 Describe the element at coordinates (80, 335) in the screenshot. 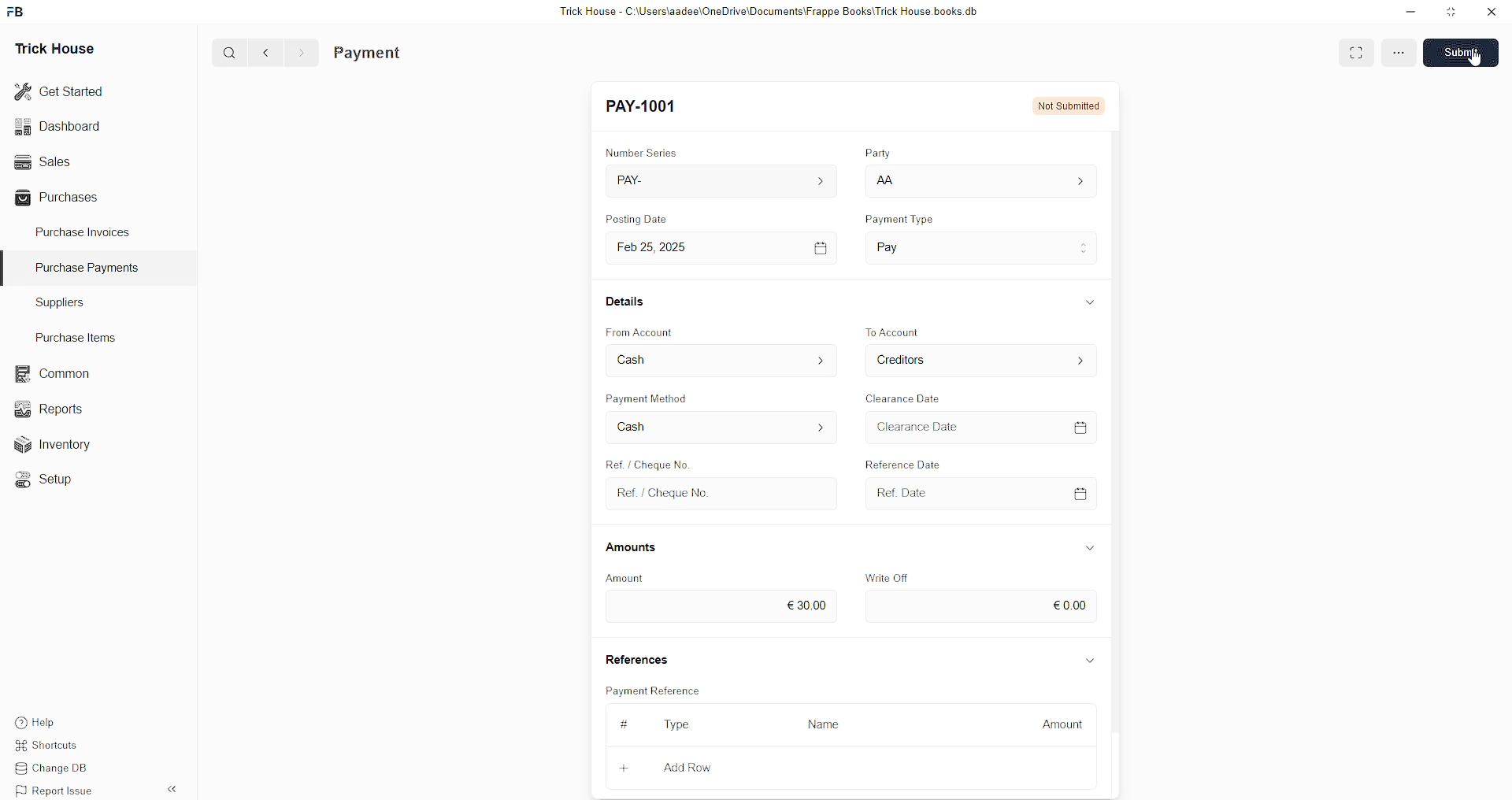

I see `Purchase Items` at that location.